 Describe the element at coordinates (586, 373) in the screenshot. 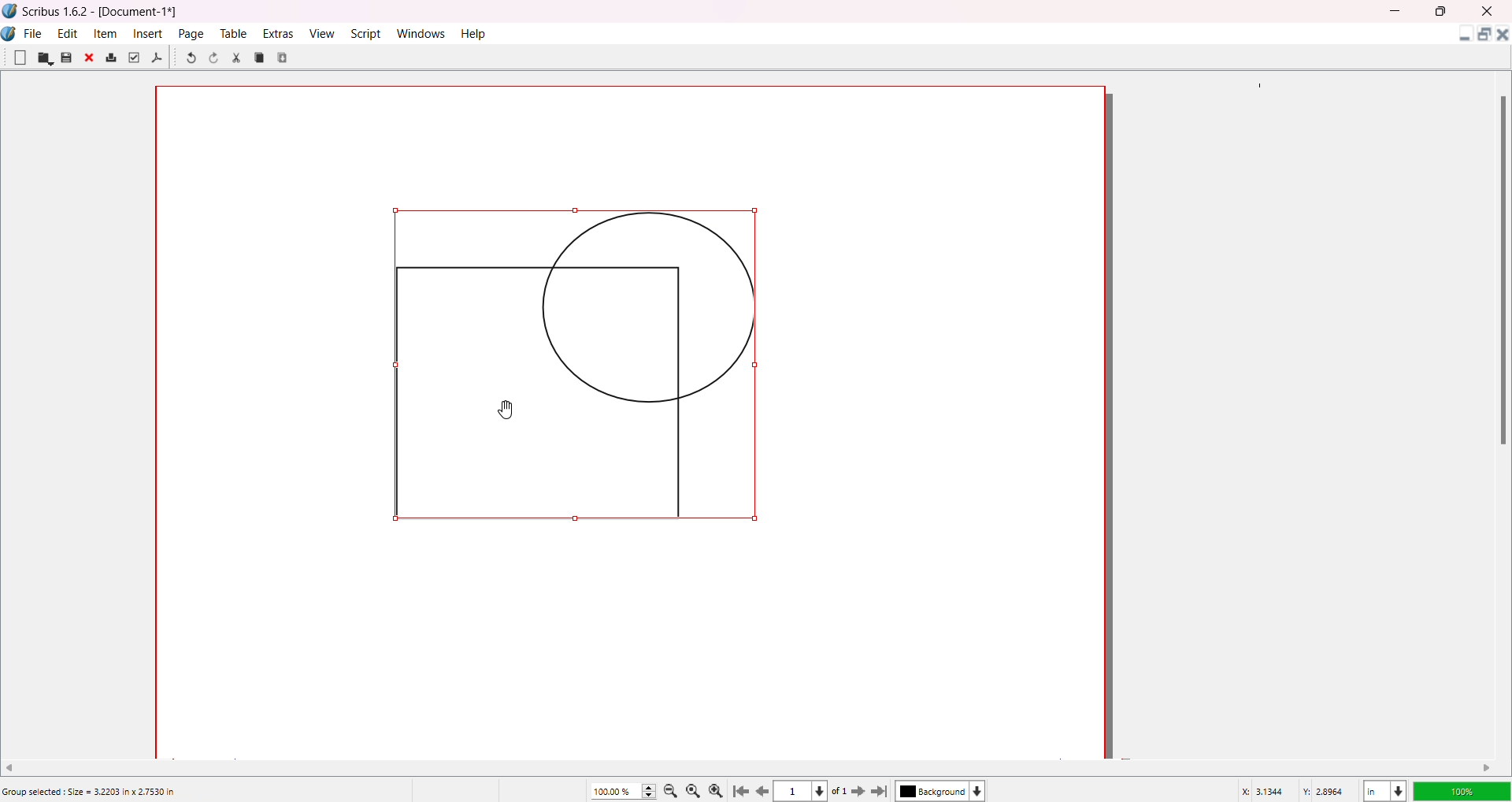

I see `Grouped Object` at that location.